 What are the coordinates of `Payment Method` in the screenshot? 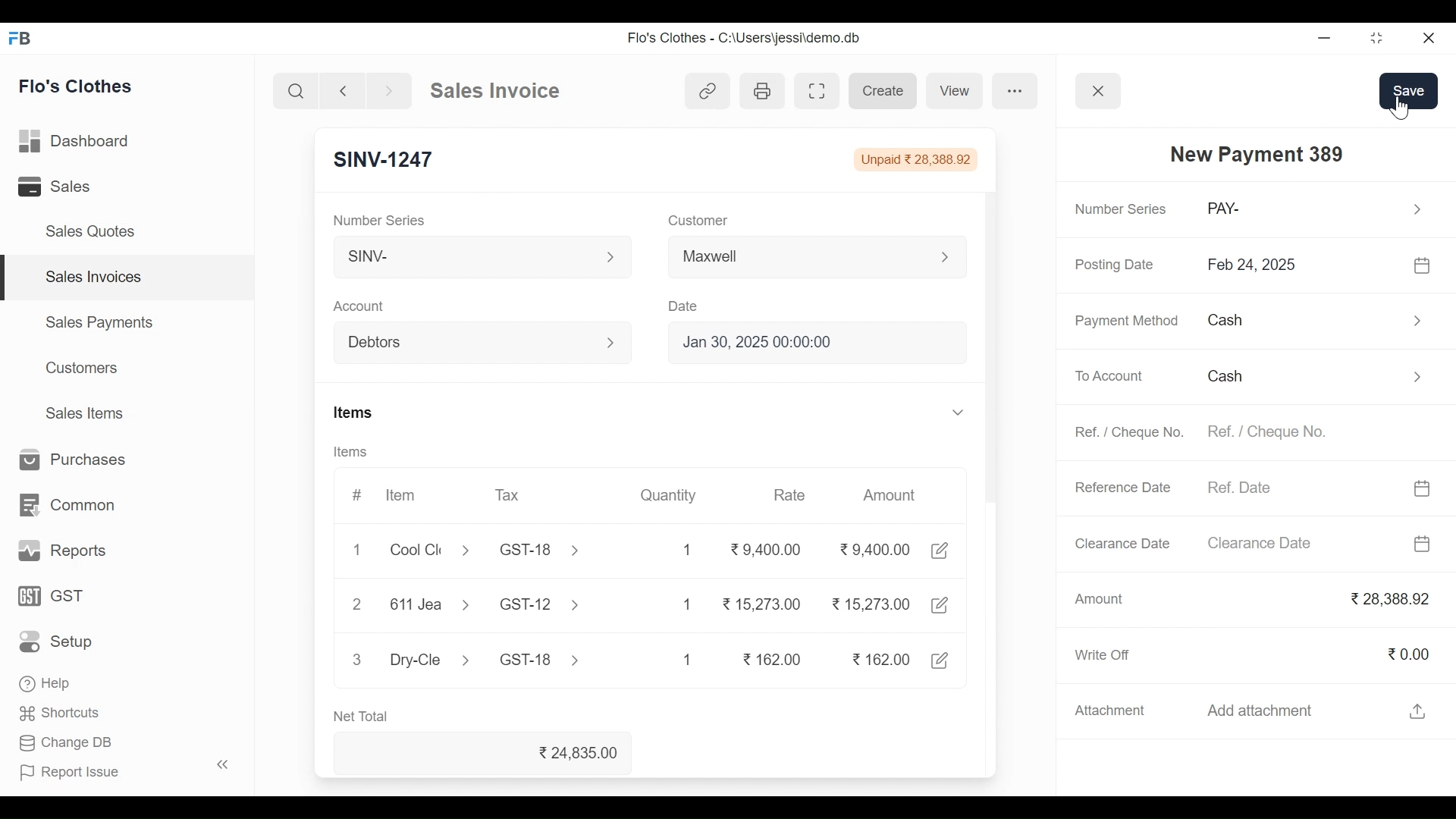 It's located at (1130, 320).